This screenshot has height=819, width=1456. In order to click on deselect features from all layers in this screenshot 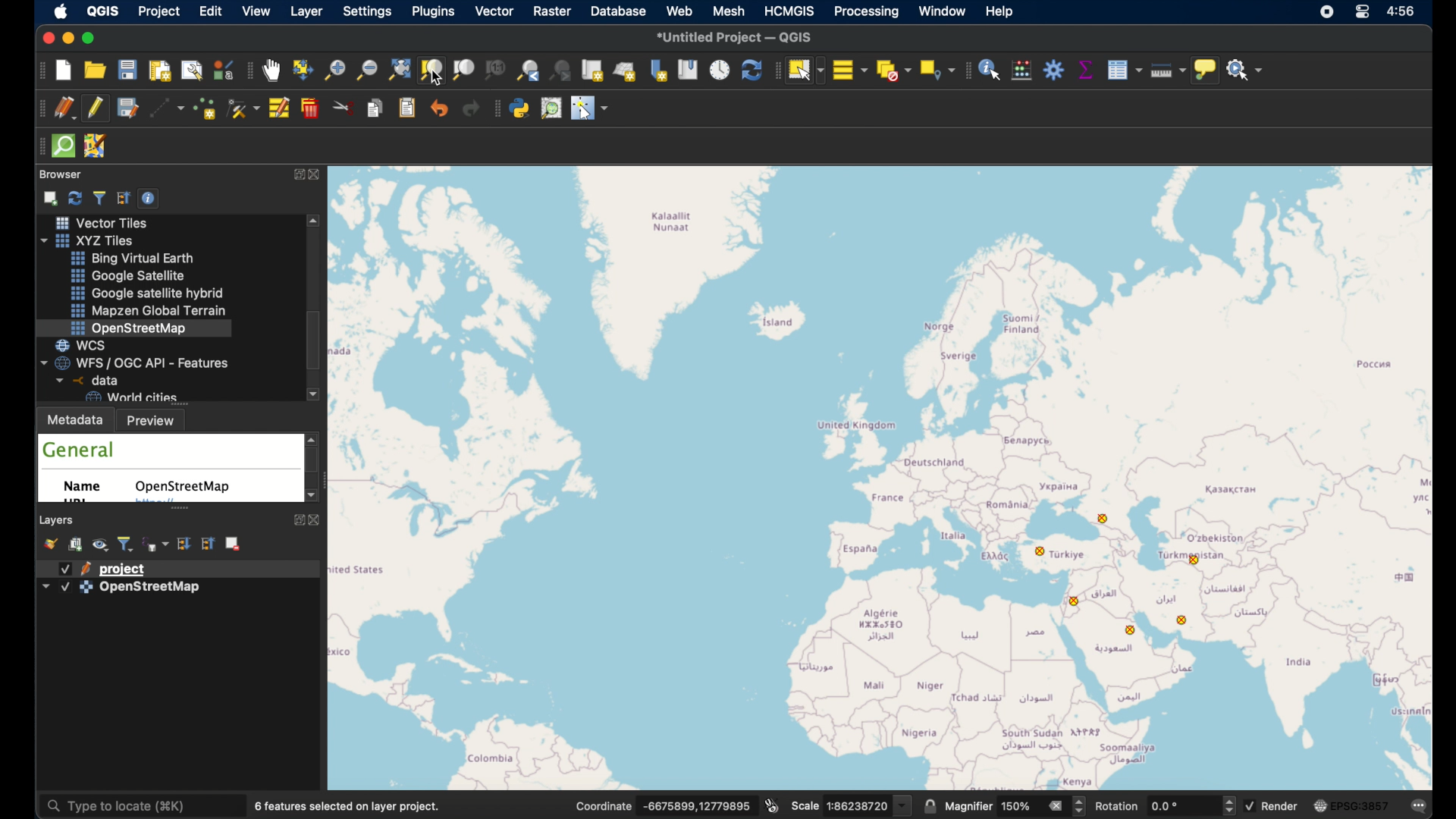, I will do `click(893, 71)`.